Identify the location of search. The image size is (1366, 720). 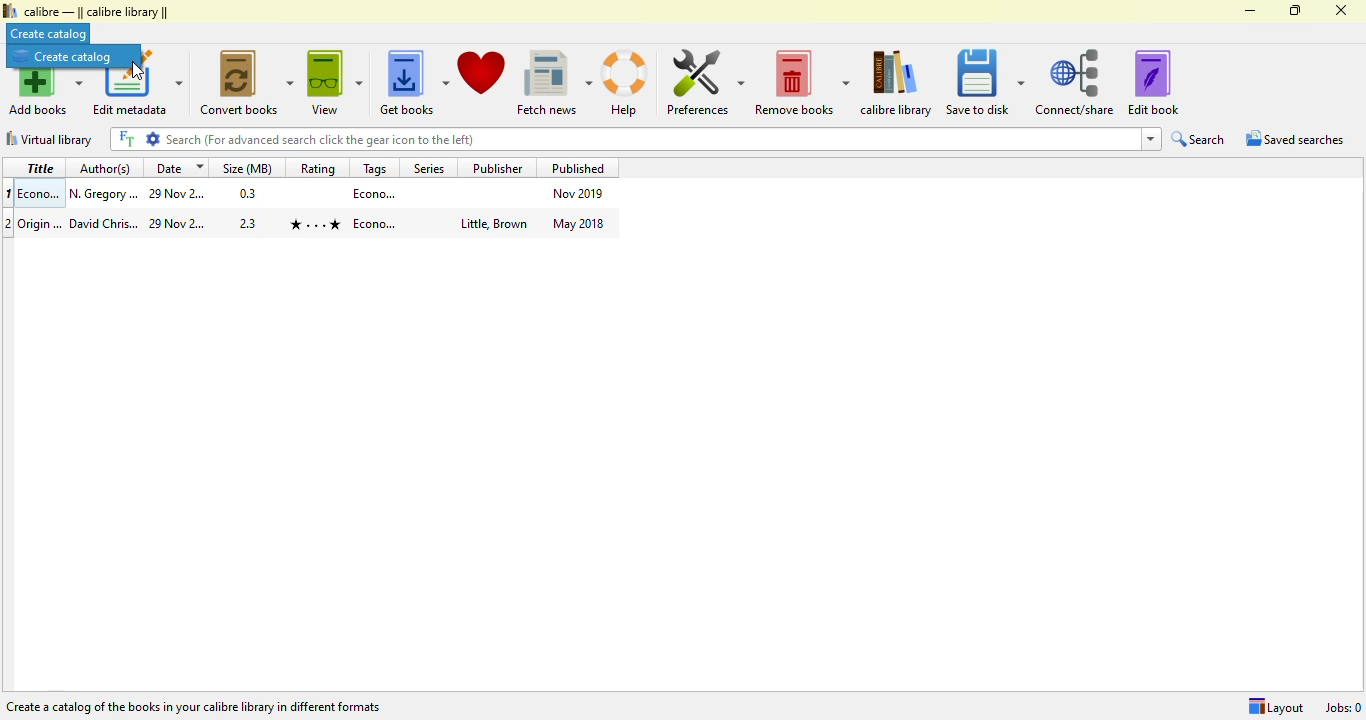
(1199, 139).